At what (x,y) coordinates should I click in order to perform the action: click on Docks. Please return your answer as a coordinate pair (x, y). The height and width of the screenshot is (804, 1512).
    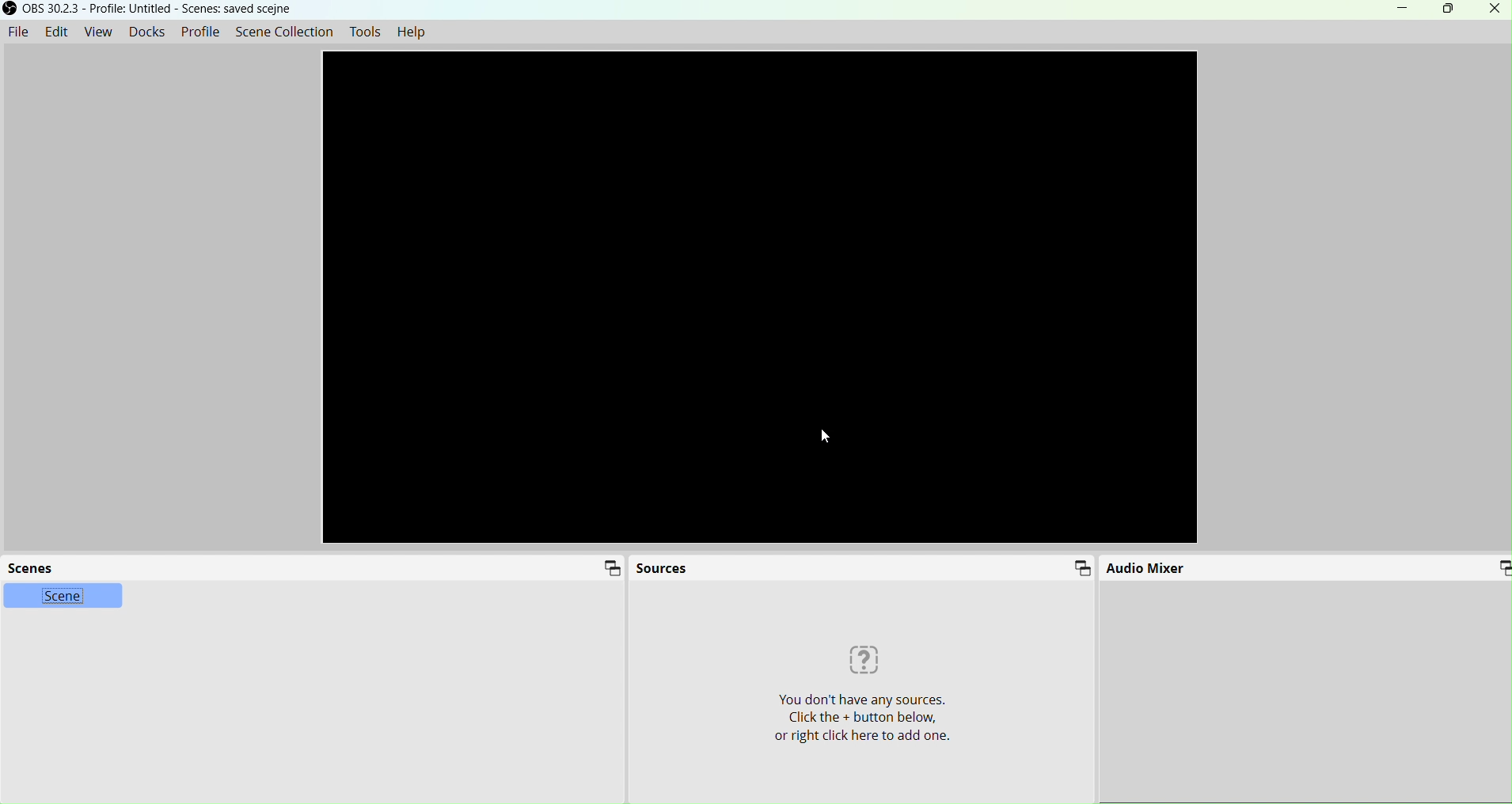
    Looking at the image, I should click on (147, 31).